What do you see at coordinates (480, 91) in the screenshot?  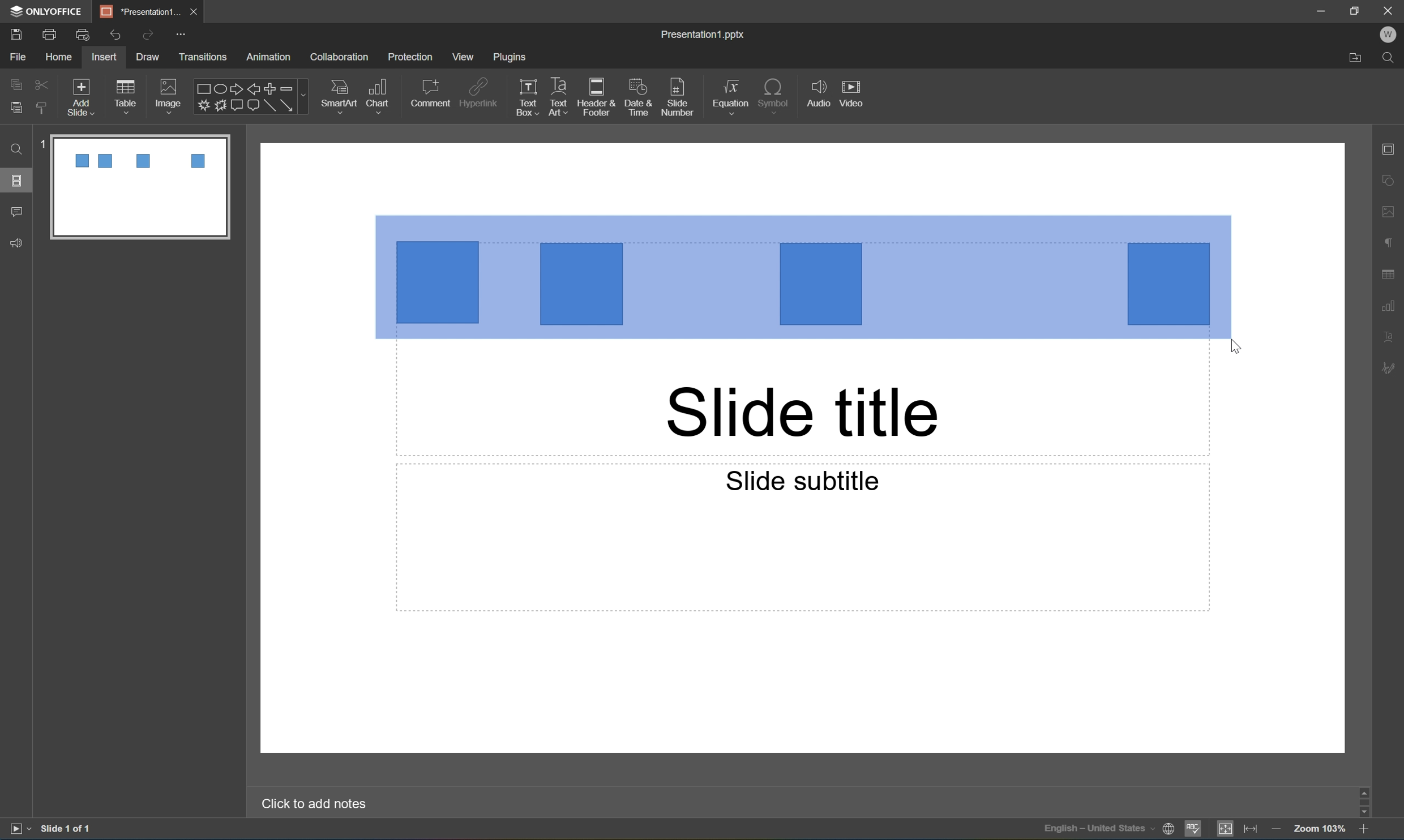 I see `hyperlink` at bounding box center [480, 91].